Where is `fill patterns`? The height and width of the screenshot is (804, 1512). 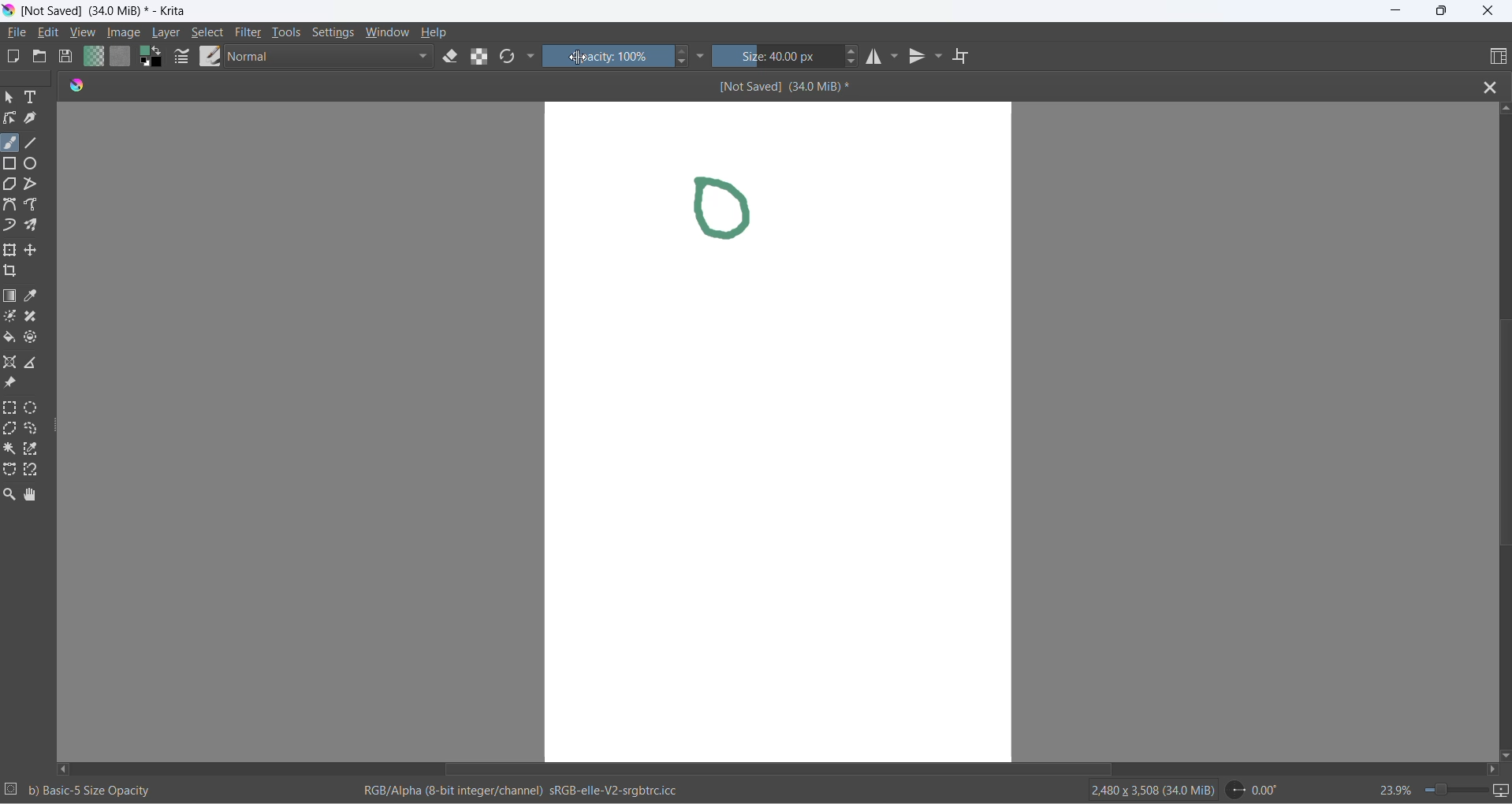
fill patterns is located at coordinates (122, 56).